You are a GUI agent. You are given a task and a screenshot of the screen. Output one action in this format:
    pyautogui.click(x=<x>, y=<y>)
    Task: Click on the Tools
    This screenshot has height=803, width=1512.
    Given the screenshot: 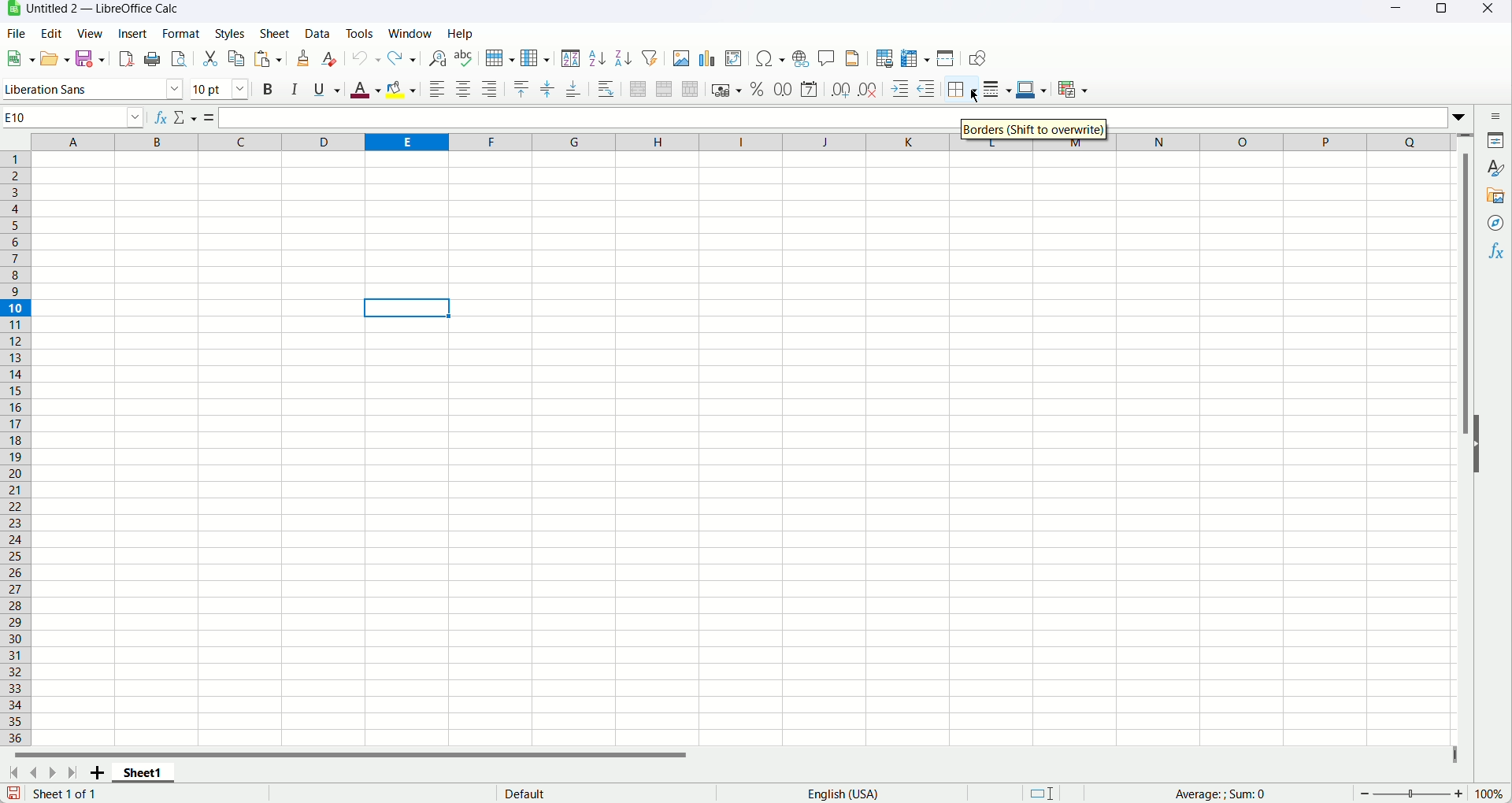 What is the action you would take?
    pyautogui.click(x=358, y=32)
    